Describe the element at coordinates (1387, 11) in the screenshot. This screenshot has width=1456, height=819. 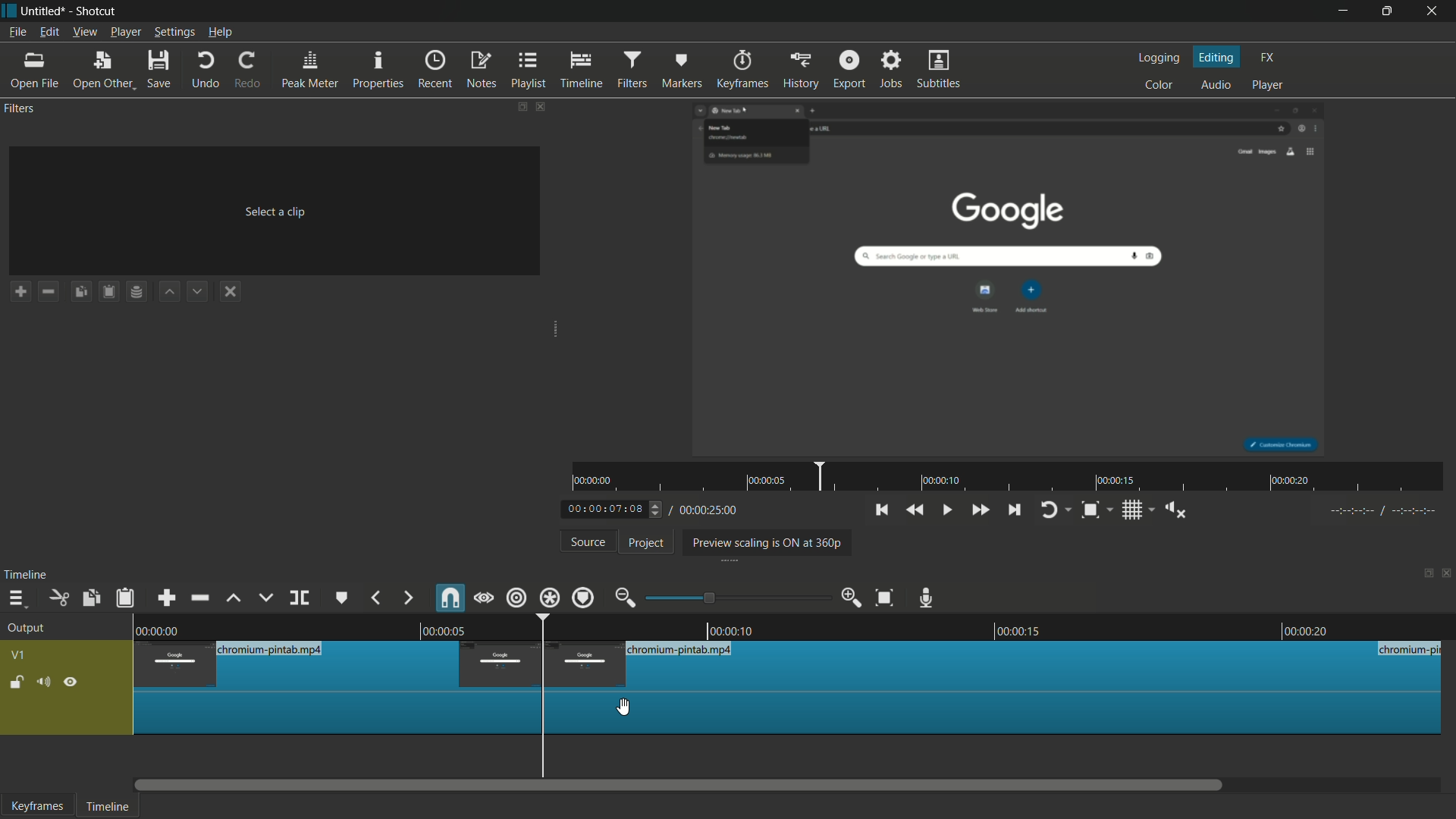
I see `maximize` at that location.